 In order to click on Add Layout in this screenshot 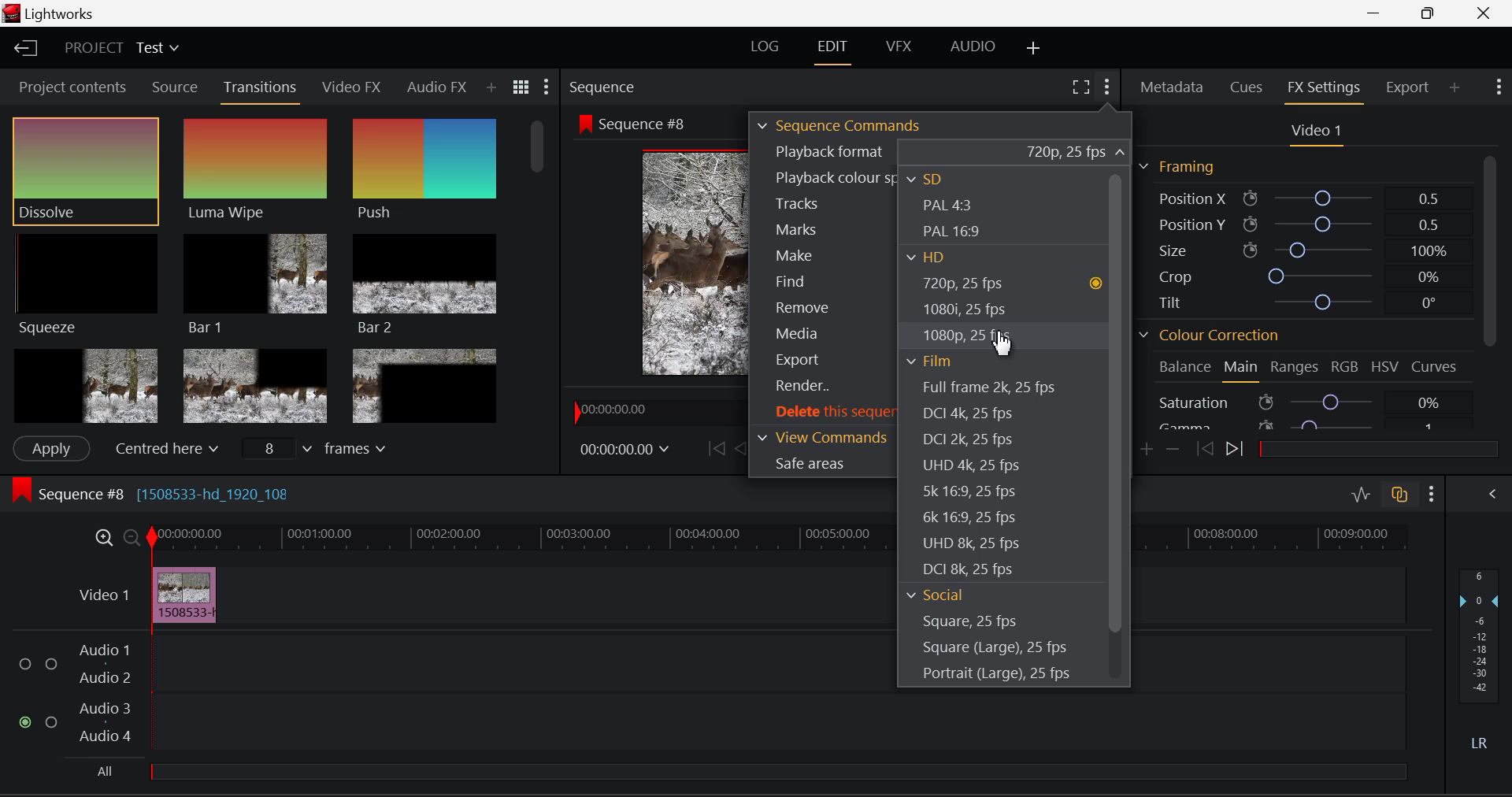, I will do `click(1032, 48)`.